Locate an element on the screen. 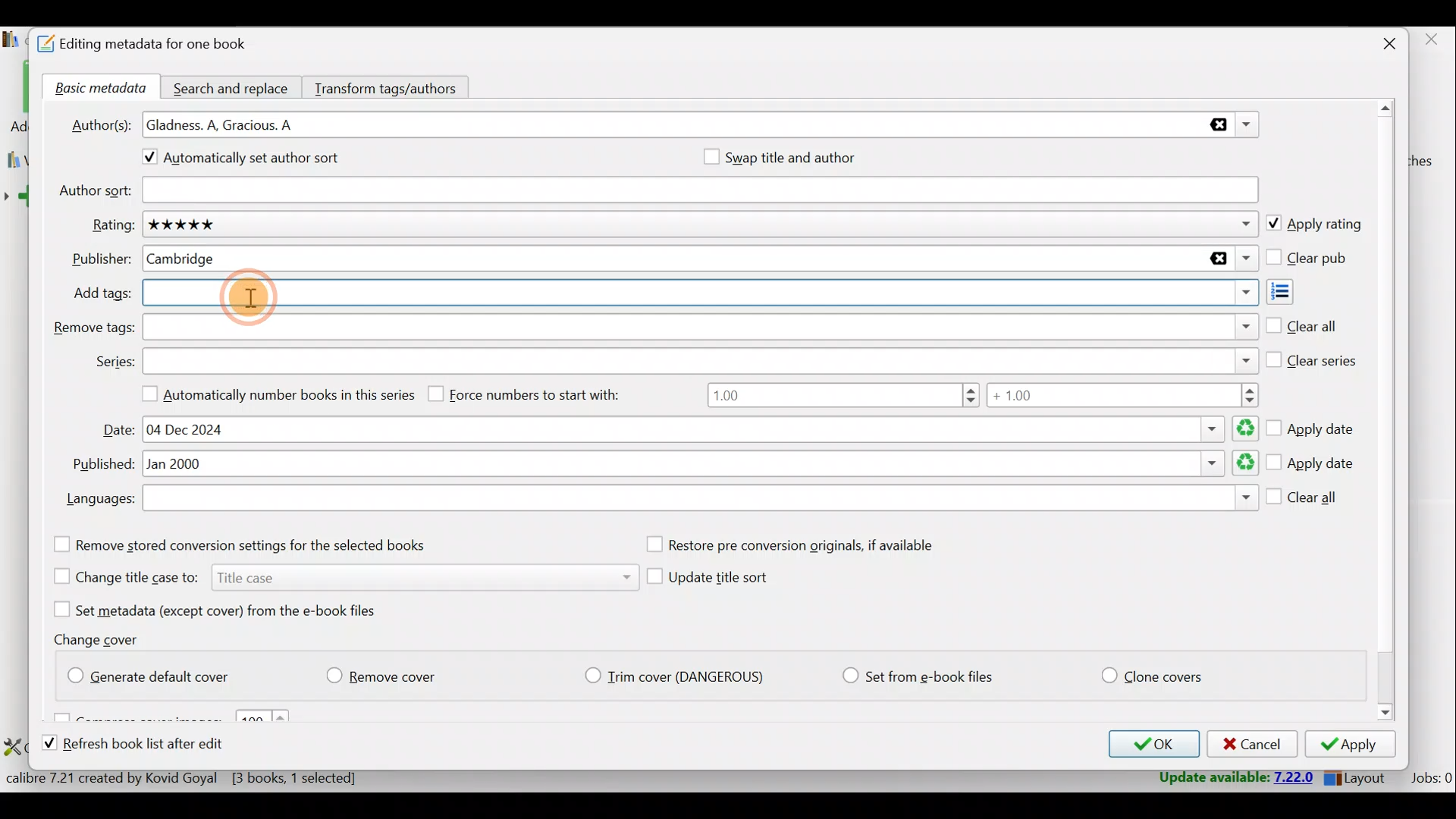 This screenshot has height=819, width=1456. Generate default cover is located at coordinates (156, 673).